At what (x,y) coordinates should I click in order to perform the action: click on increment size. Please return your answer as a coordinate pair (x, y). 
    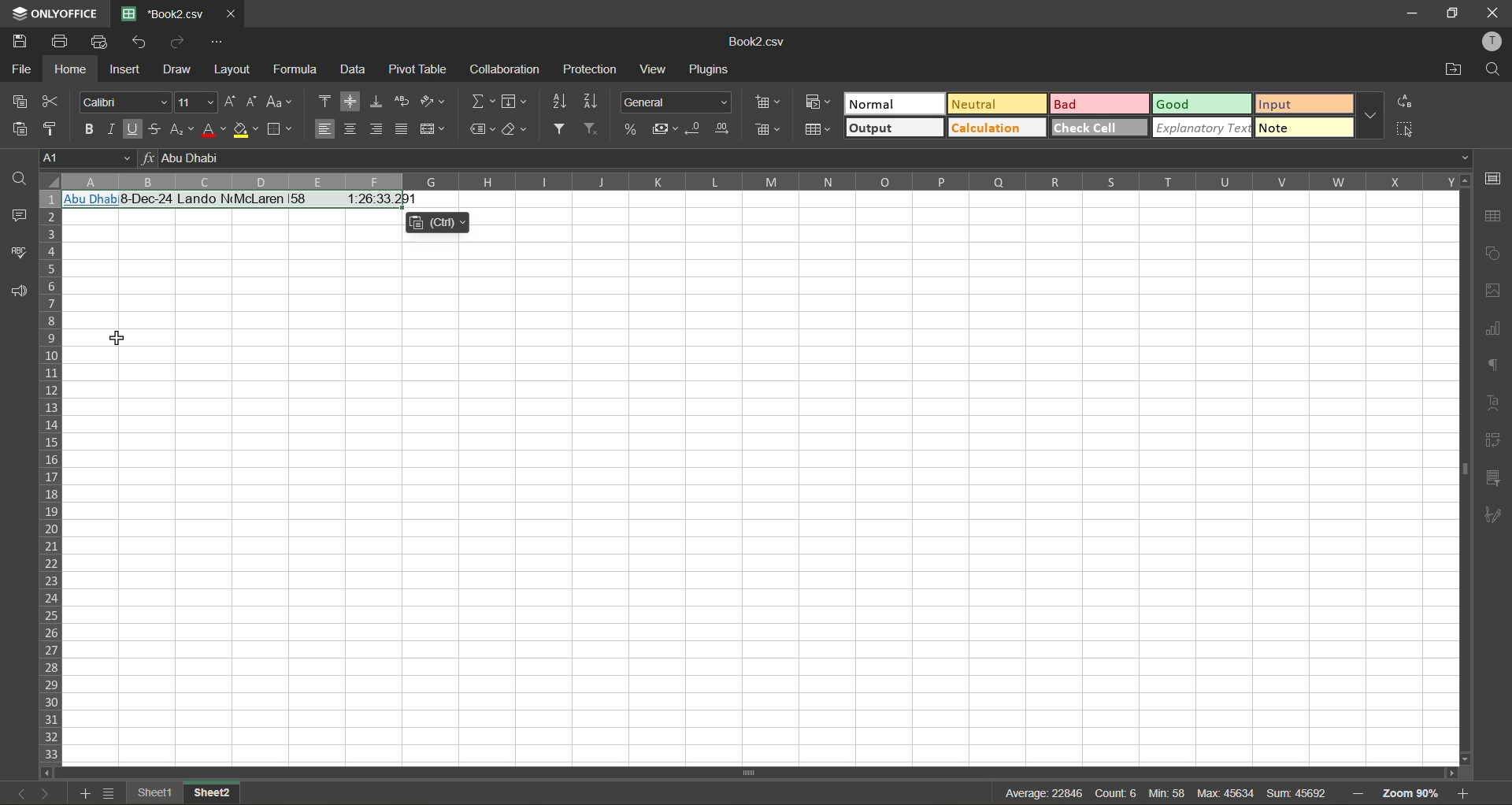
    Looking at the image, I should click on (228, 102).